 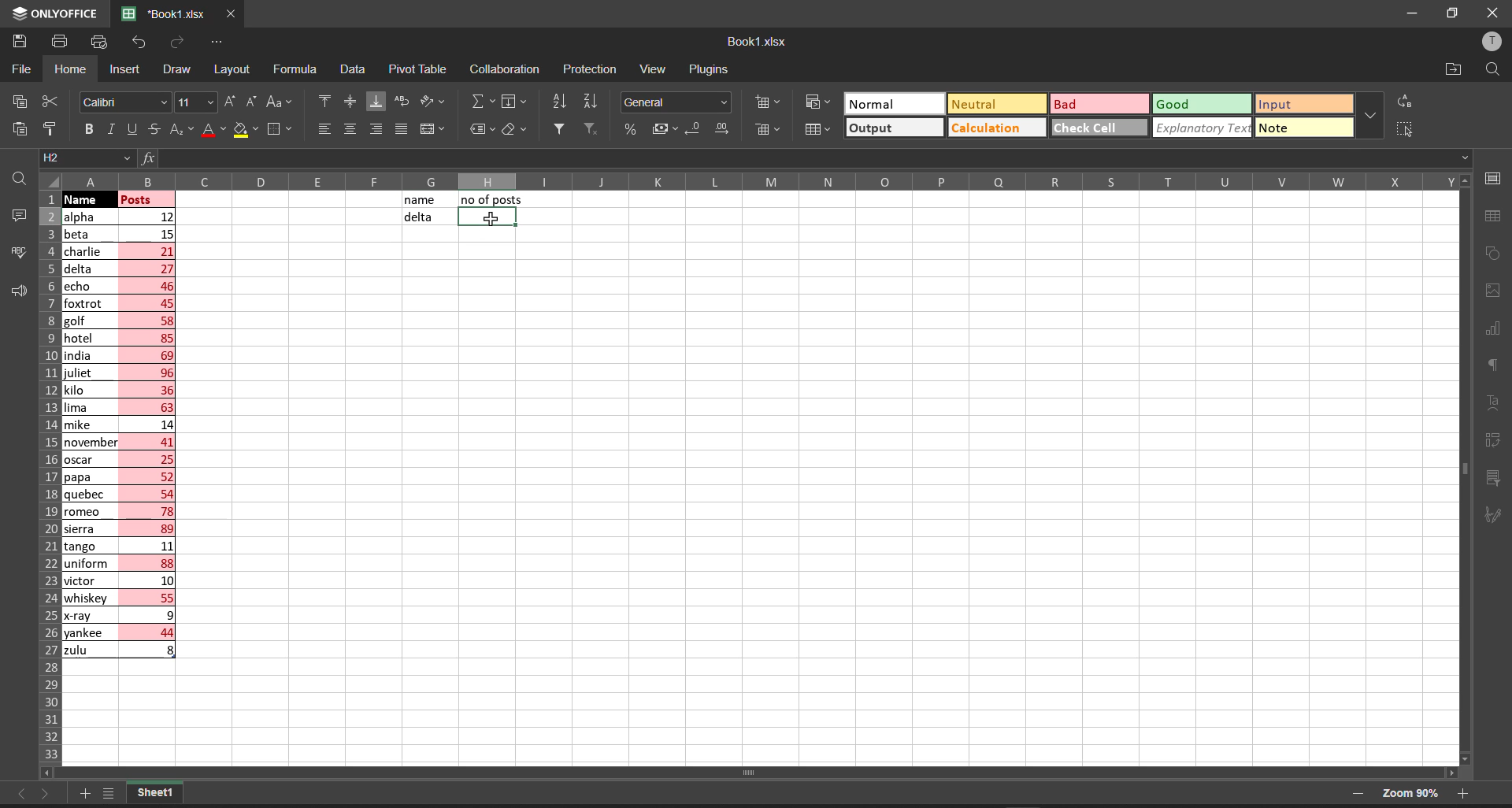 What do you see at coordinates (1285, 126) in the screenshot?
I see `note` at bounding box center [1285, 126].